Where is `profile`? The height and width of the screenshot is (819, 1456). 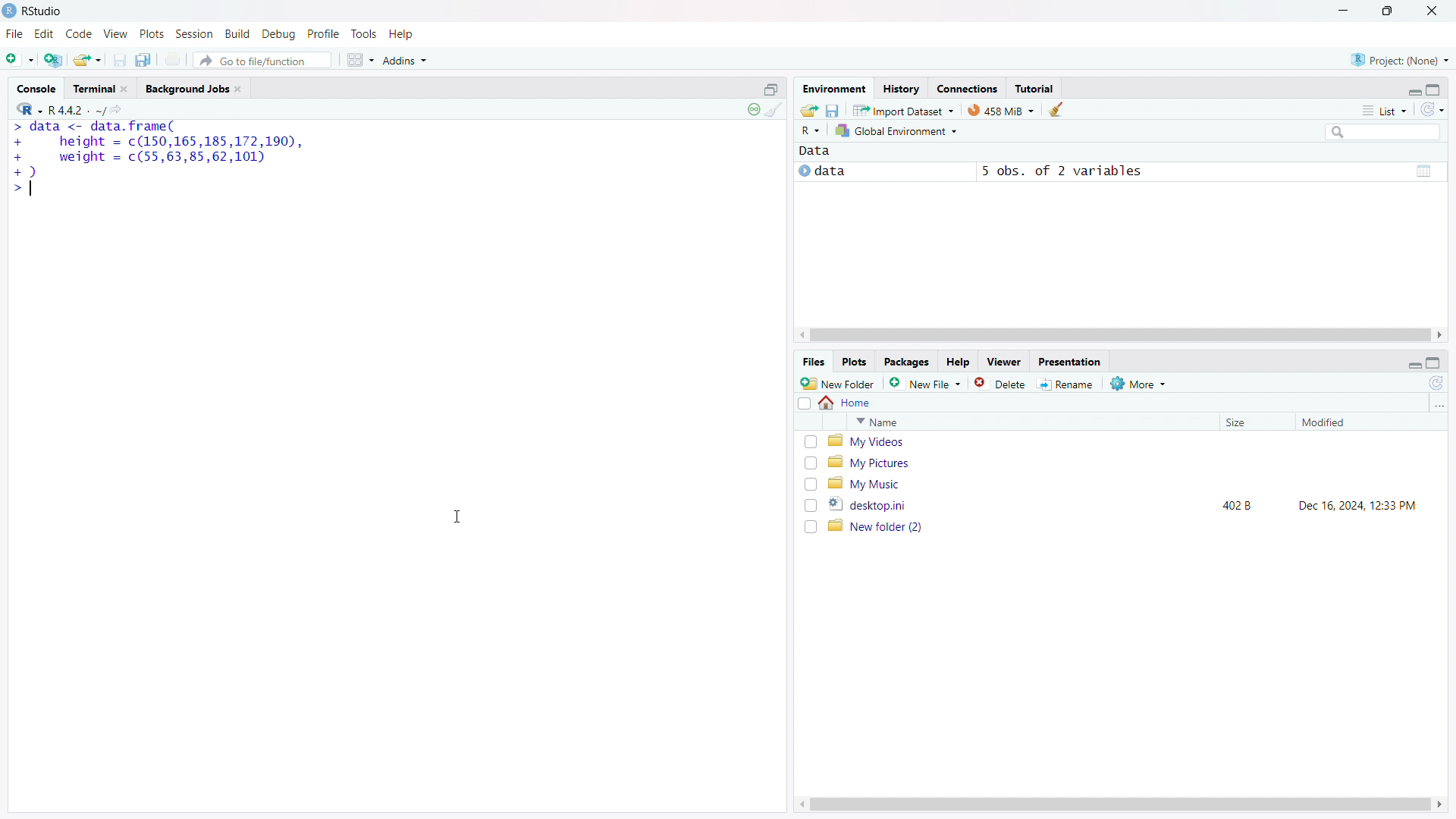 profile is located at coordinates (324, 34).